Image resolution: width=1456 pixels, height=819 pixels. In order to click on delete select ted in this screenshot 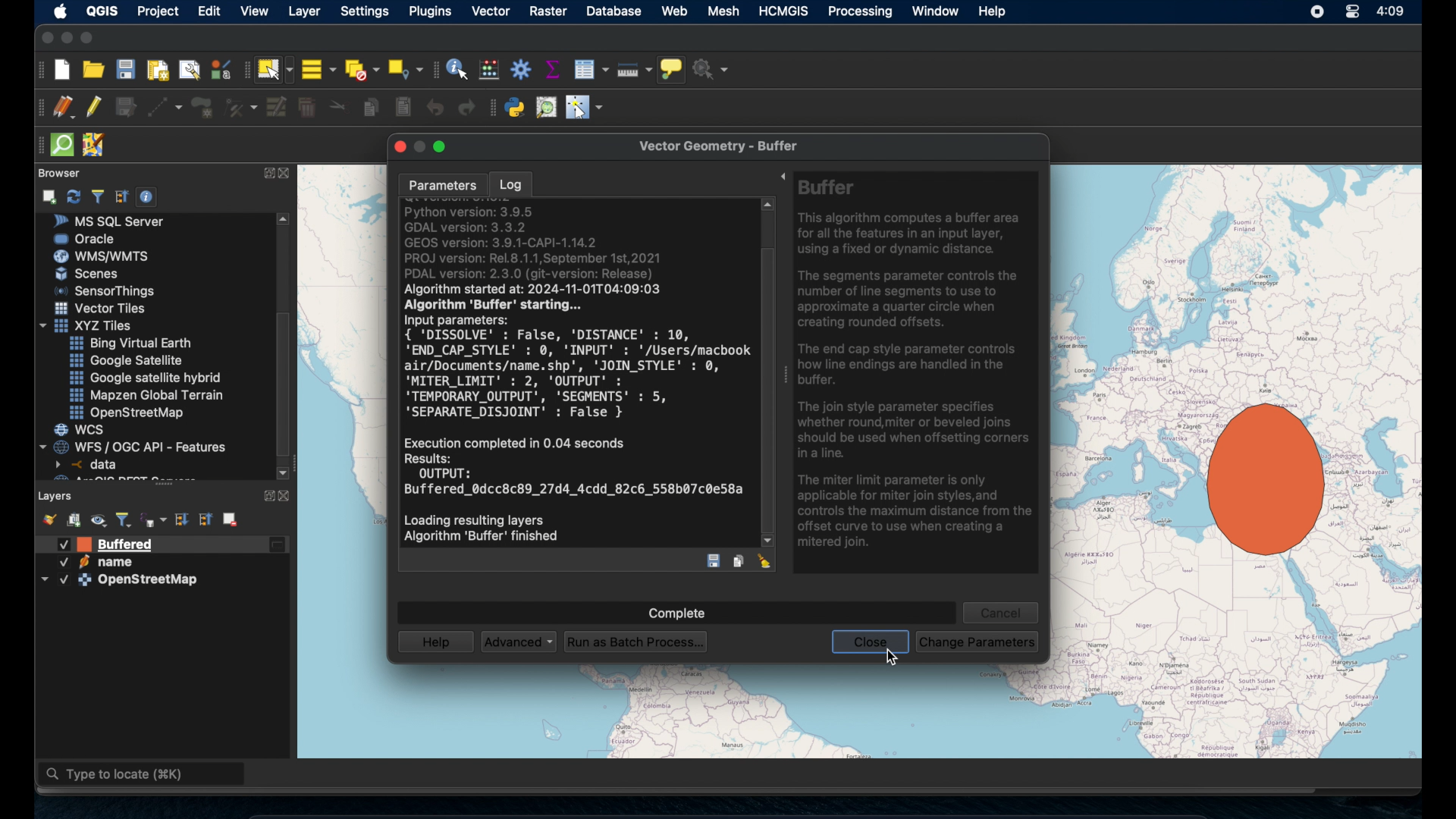, I will do `click(307, 108)`.